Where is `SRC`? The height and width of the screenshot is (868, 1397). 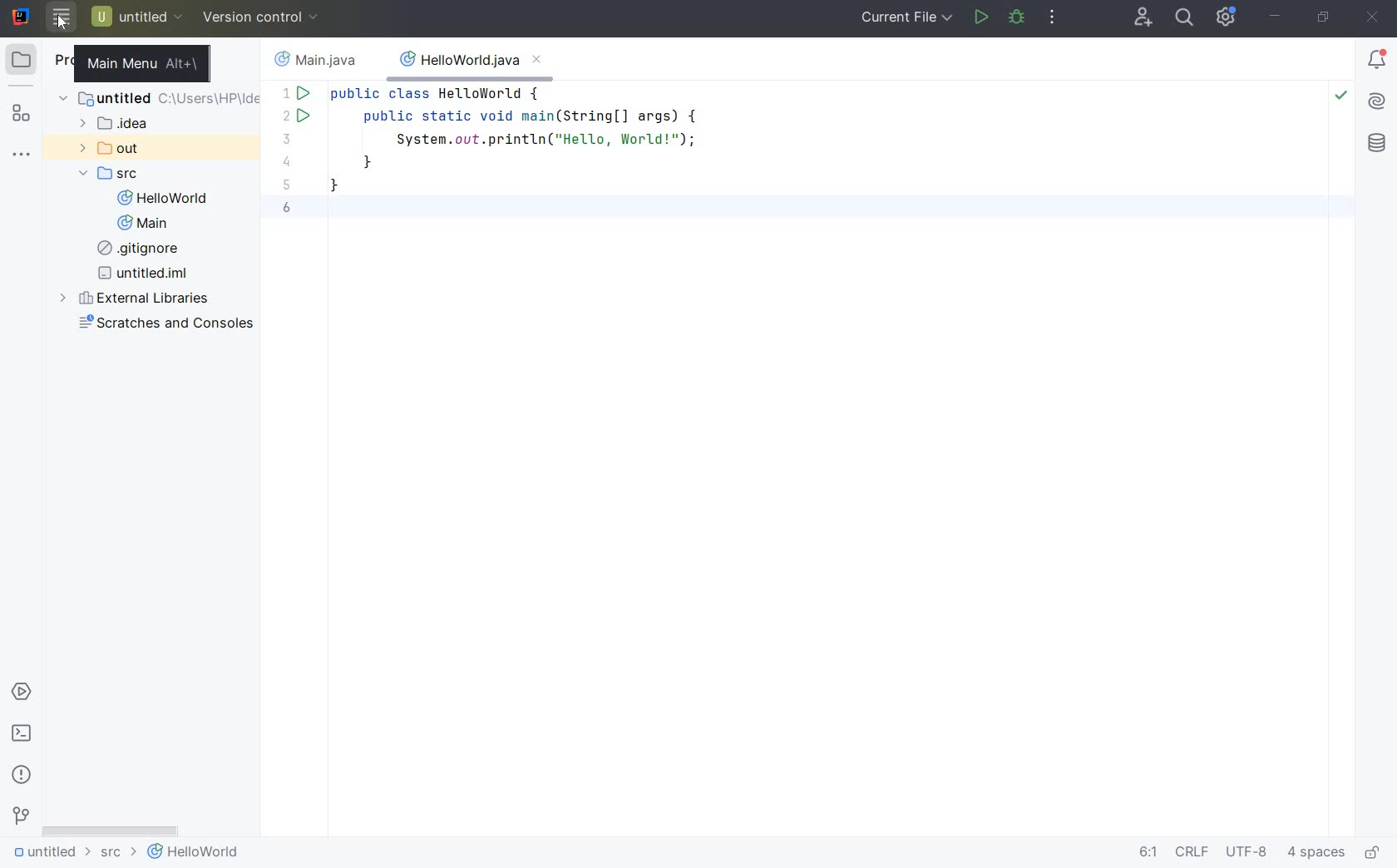 SRC is located at coordinates (111, 174).